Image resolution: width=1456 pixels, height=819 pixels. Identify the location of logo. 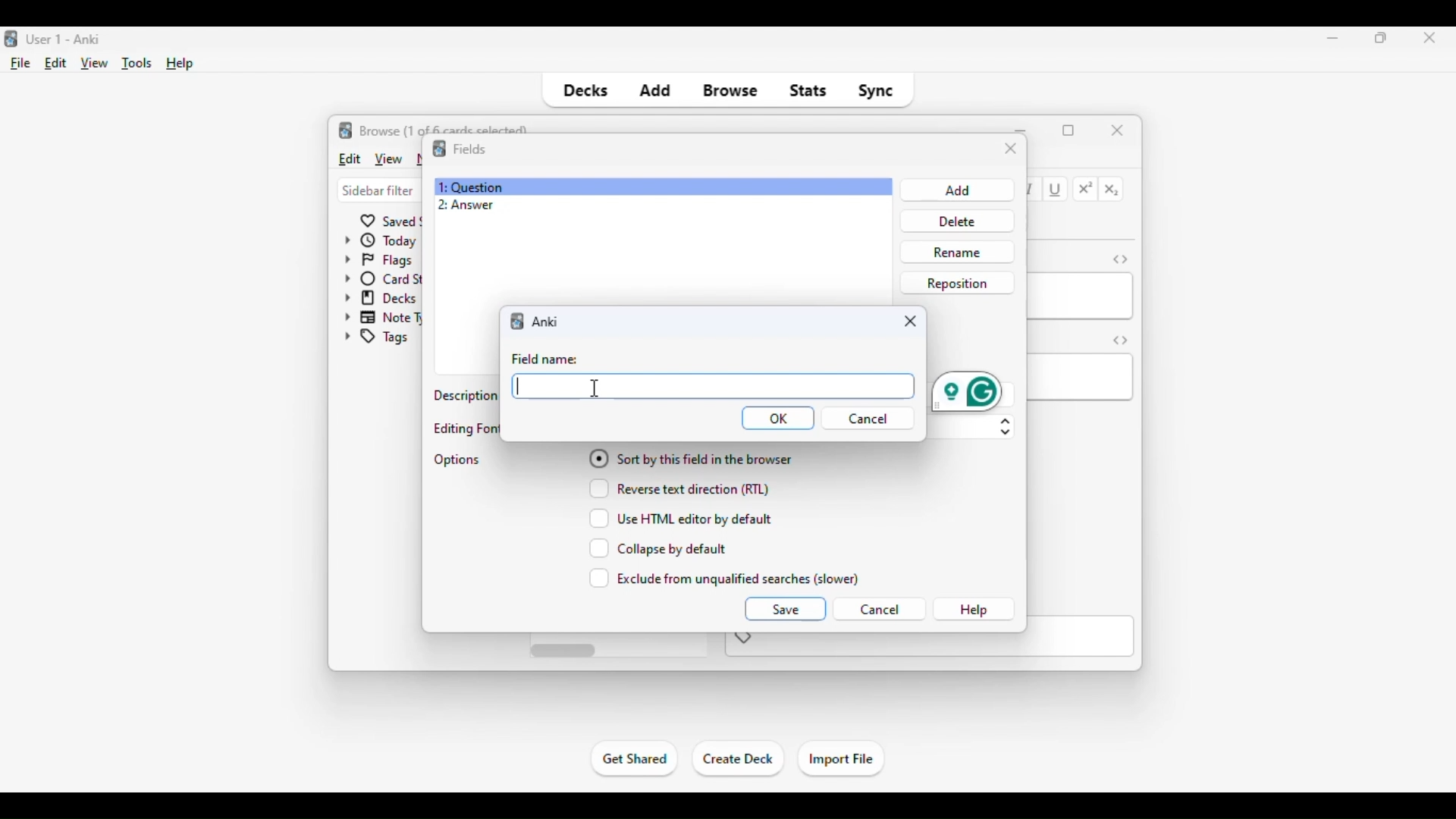
(346, 130).